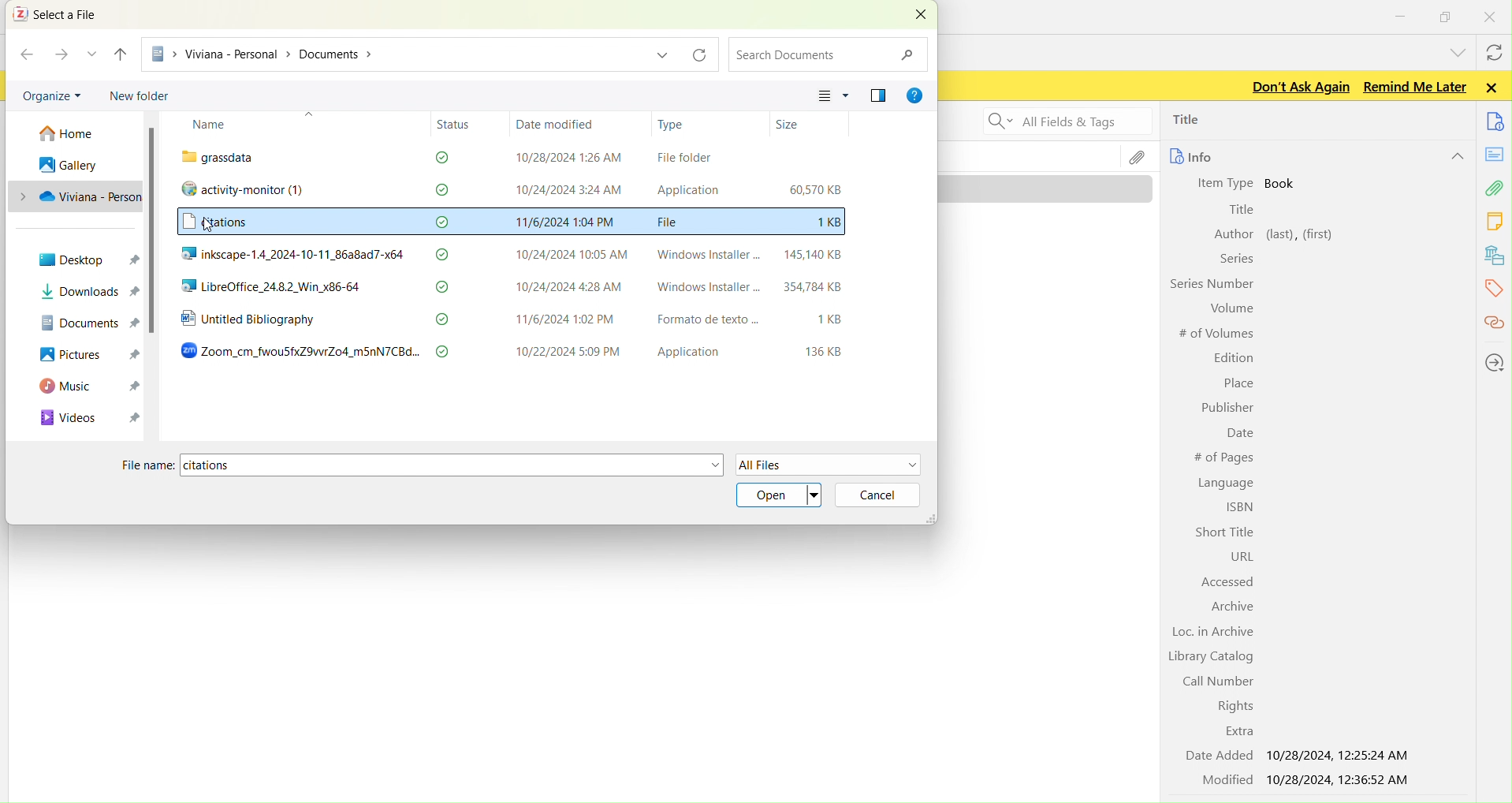 This screenshot has height=803, width=1512. What do you see at coordinates (250, 320) in the screenshot?
I see `Untitled Bibliography` at bounding box center [250, 320].